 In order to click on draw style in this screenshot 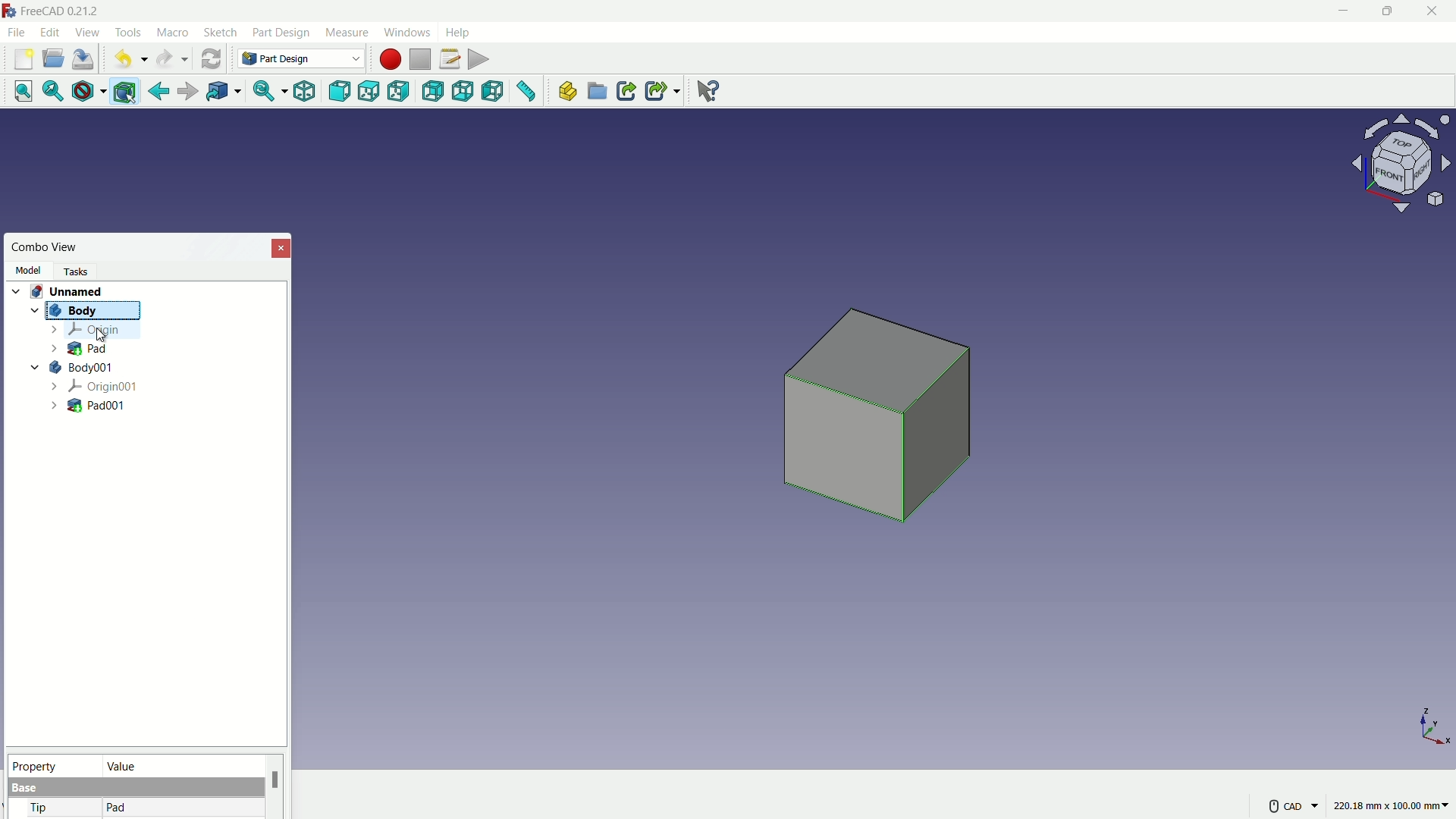, I will do `click(86, 92)`.